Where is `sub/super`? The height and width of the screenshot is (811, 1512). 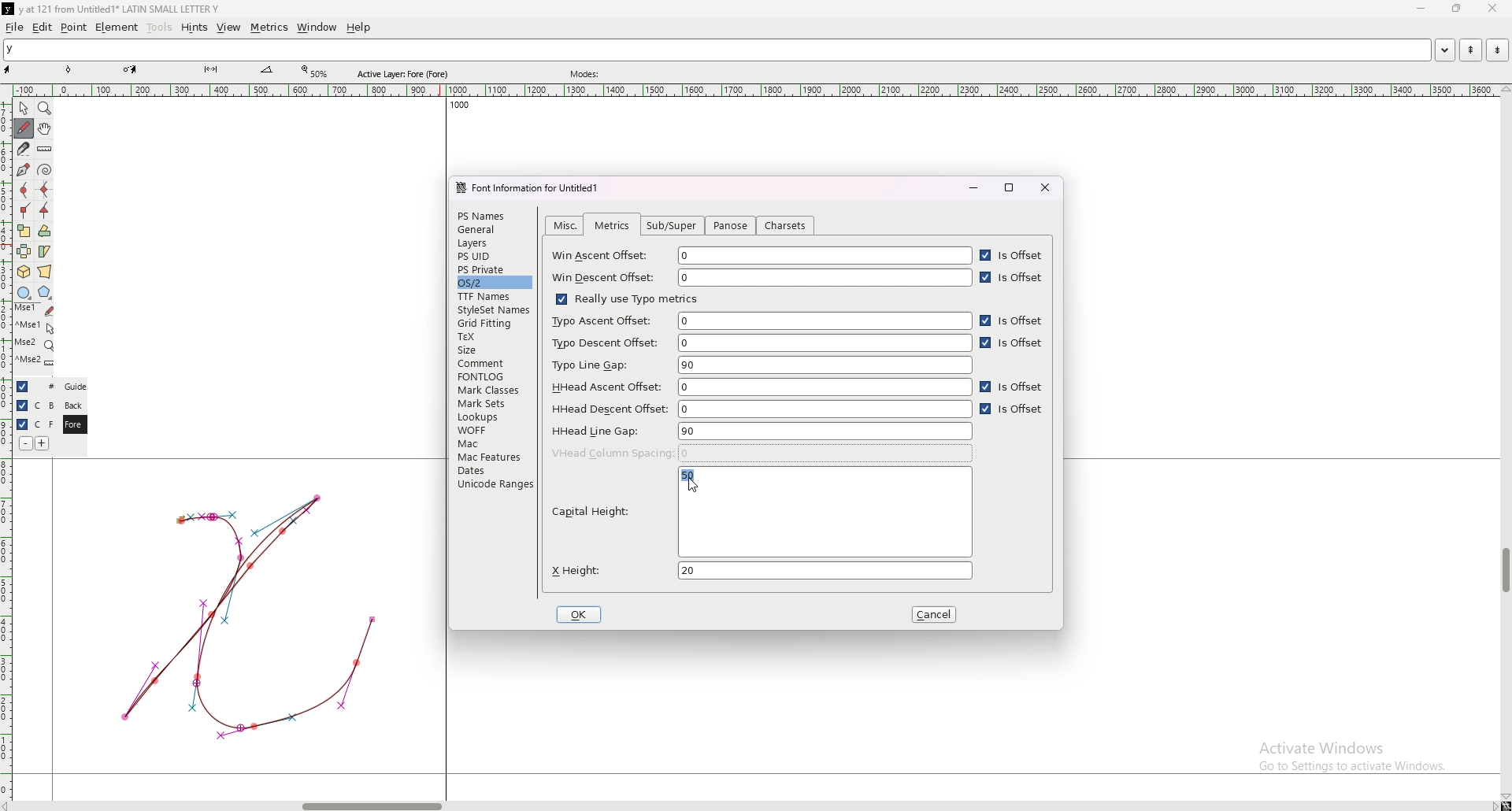 sub/super is located at coordinates (675, 226).